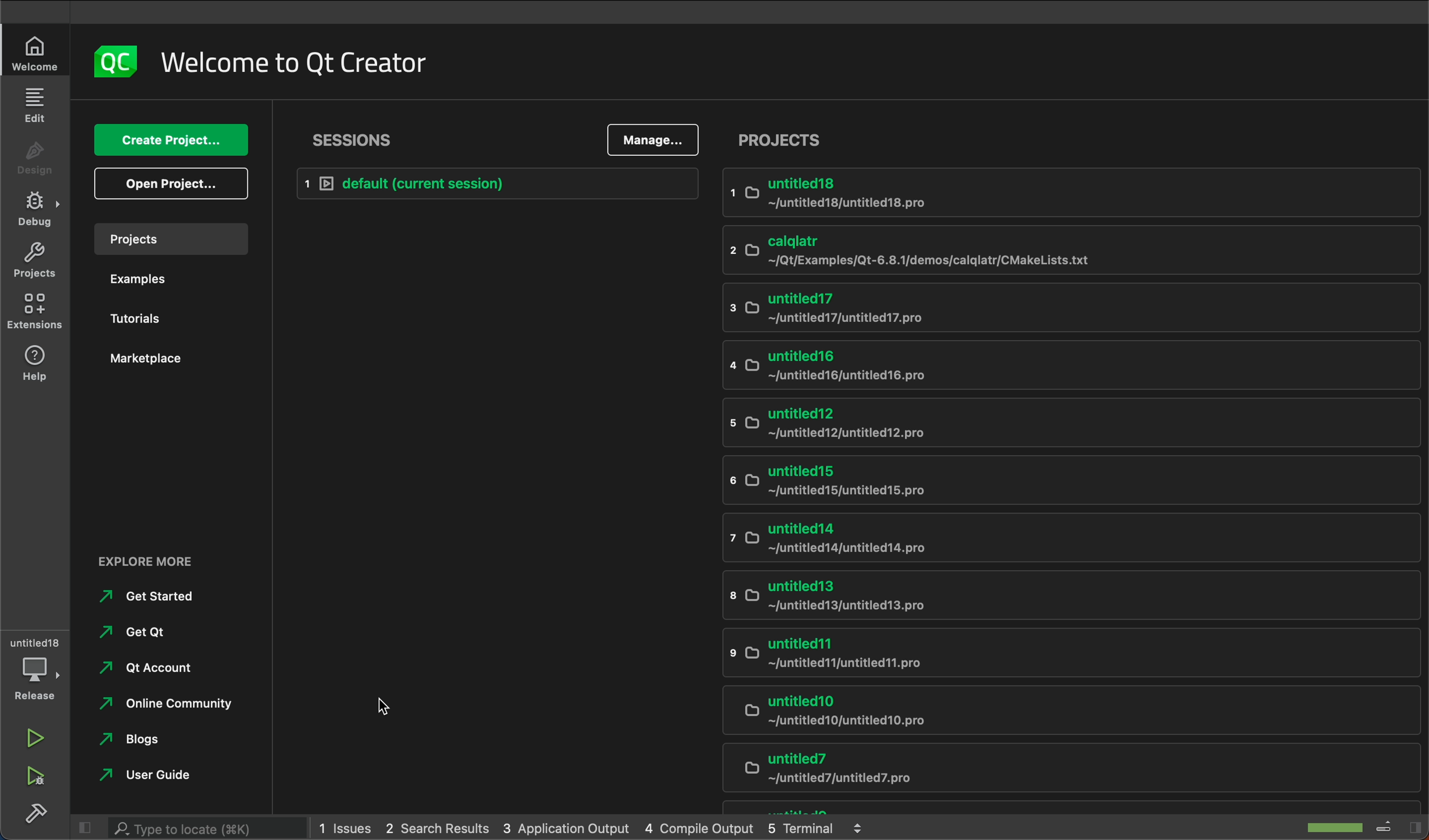 The width and height of the screenshot is (1429, 840). I want to click on untitled14, so click(1051, 540).